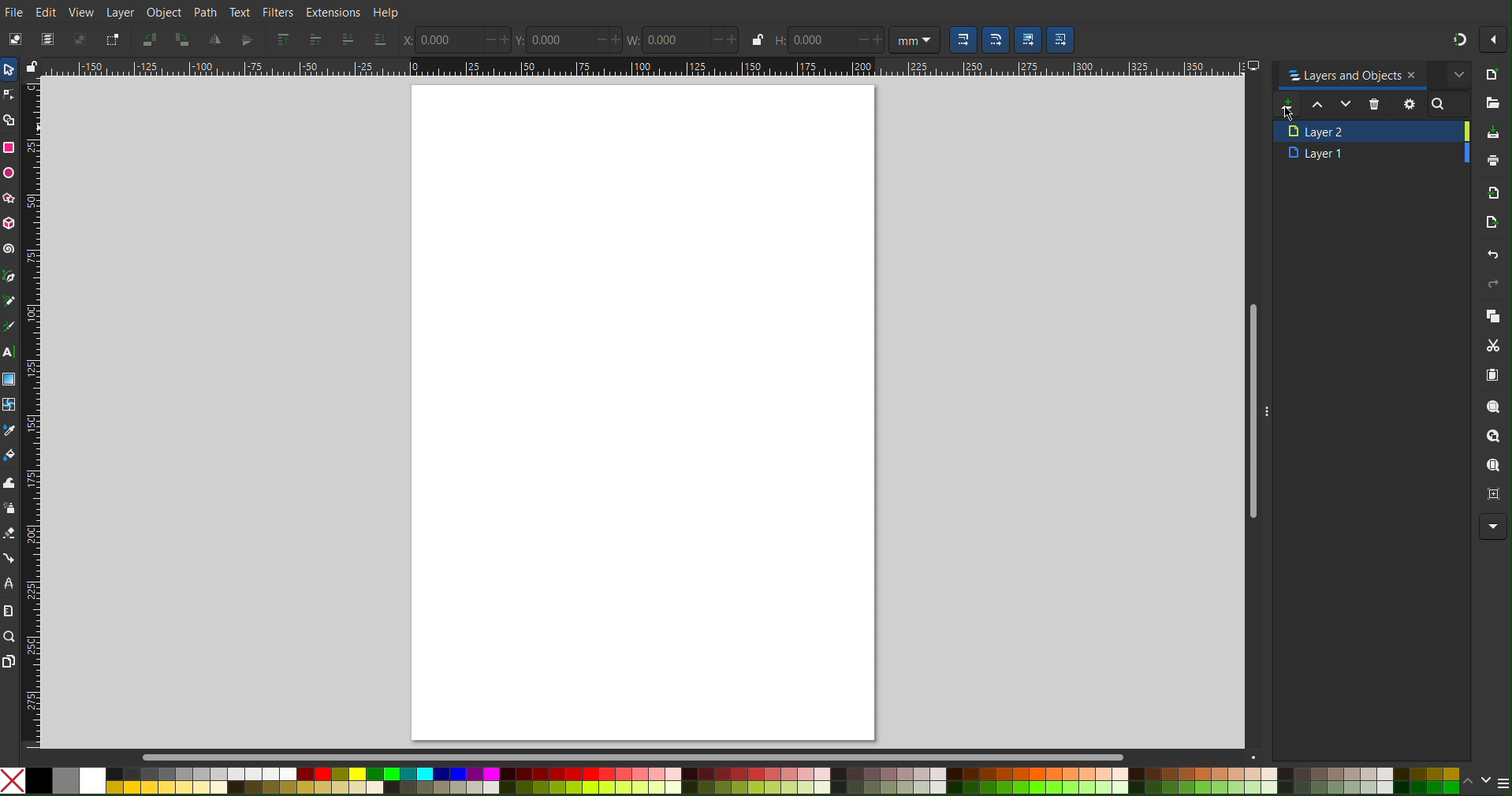 Image resolution: width=1512 pixels, height=796 pixels. I want to click on Rotate CW, so click(182, 40).